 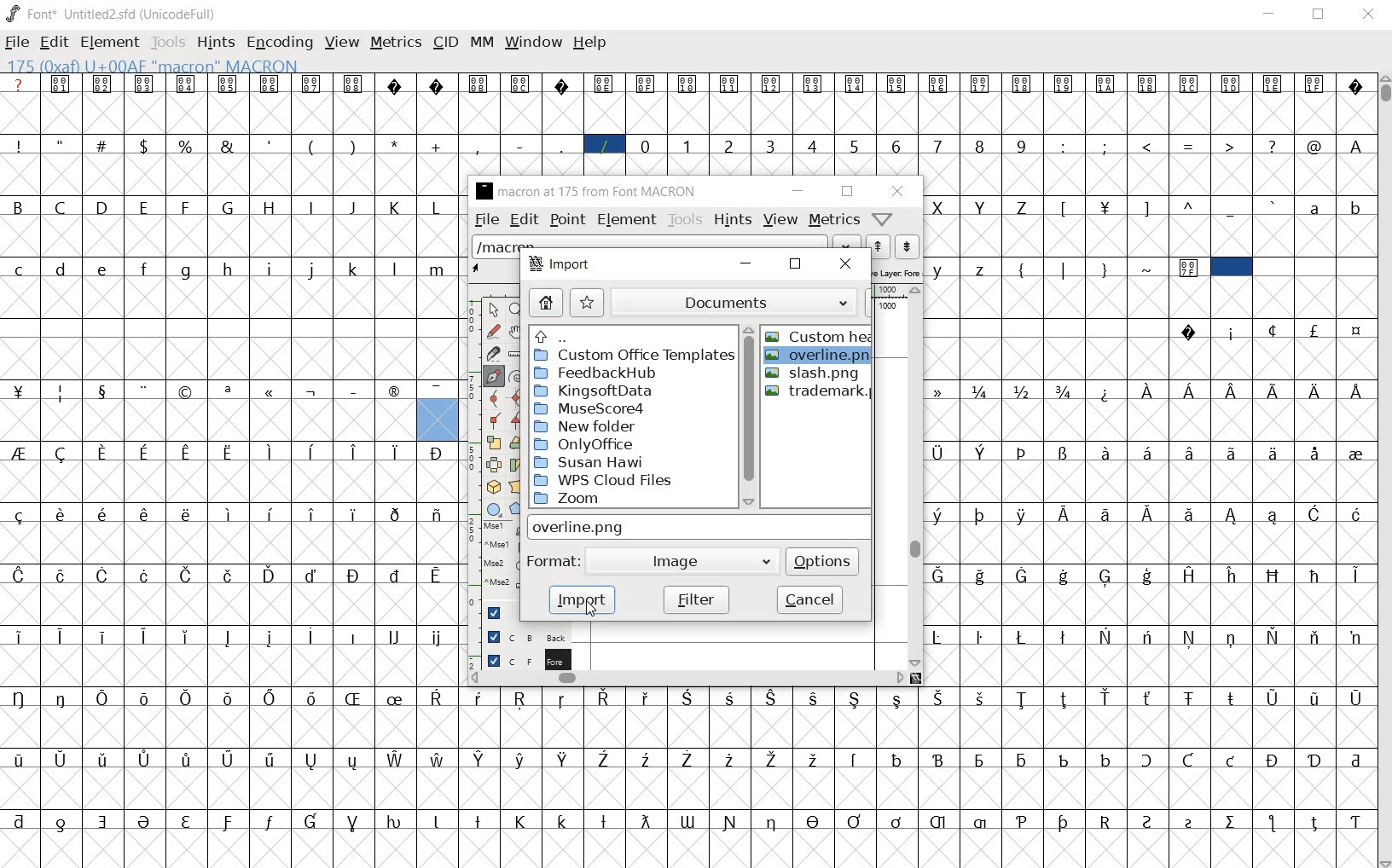 What do you see at coordinates (1065, 146) in the screenshot?
I see `:` at bounding box center [1065, 146].